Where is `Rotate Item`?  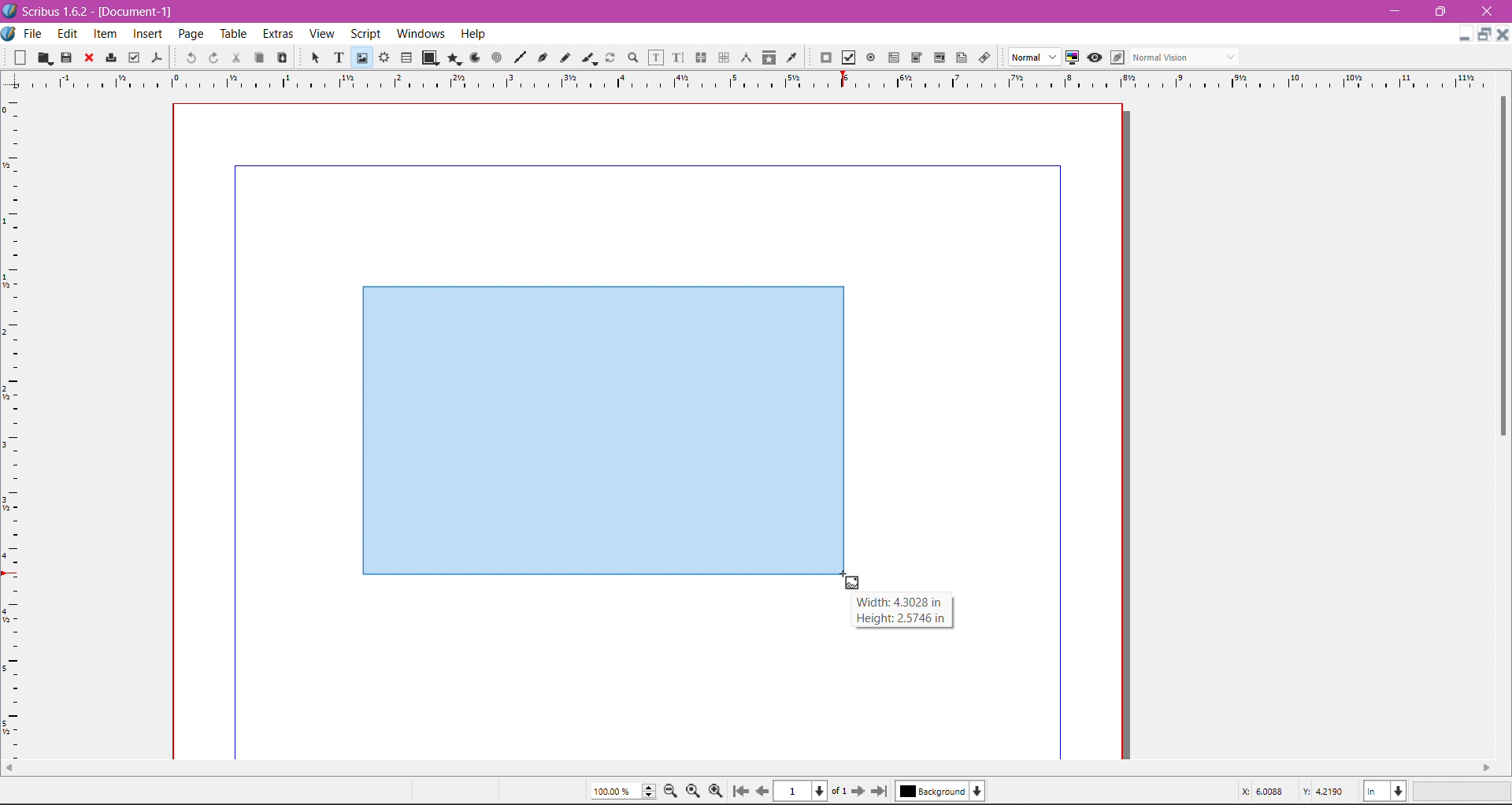
Rotate Item is located at coordinates (610, 57).